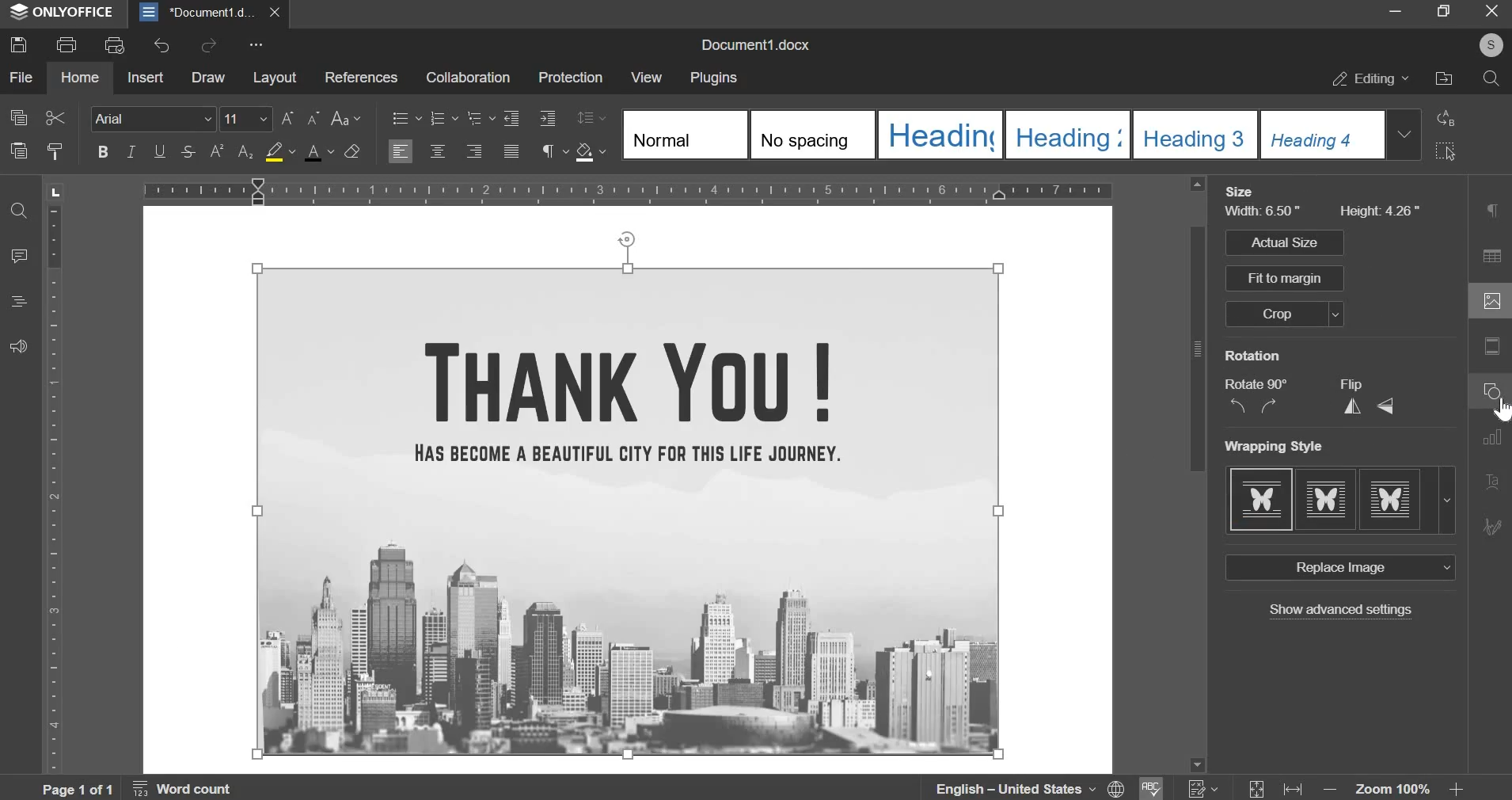 This screenshot has width=1512, height=800. I want to click on restore, so click(1444, 12).